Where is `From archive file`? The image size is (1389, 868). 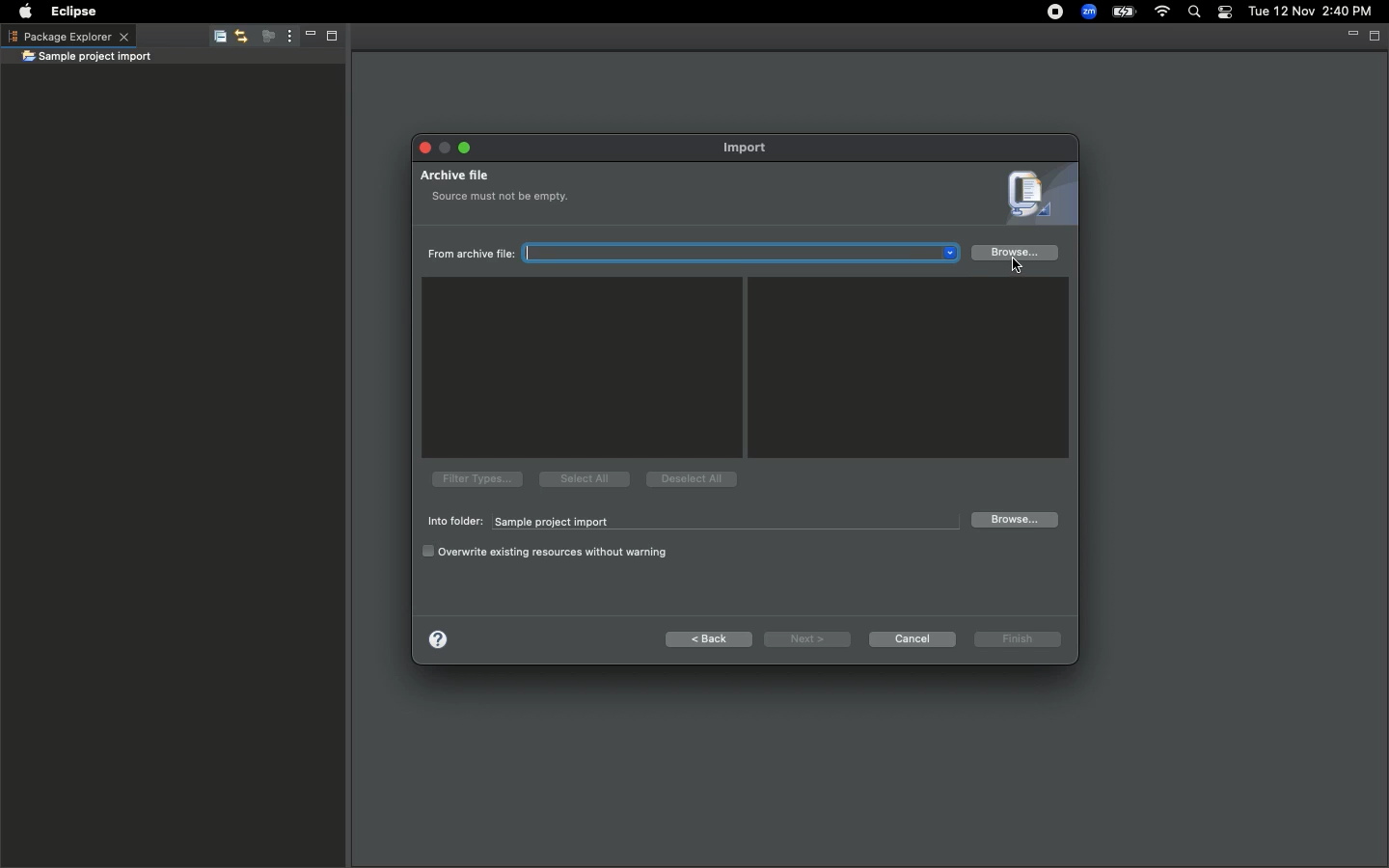
From archive file is located at coordinates (696, 254).